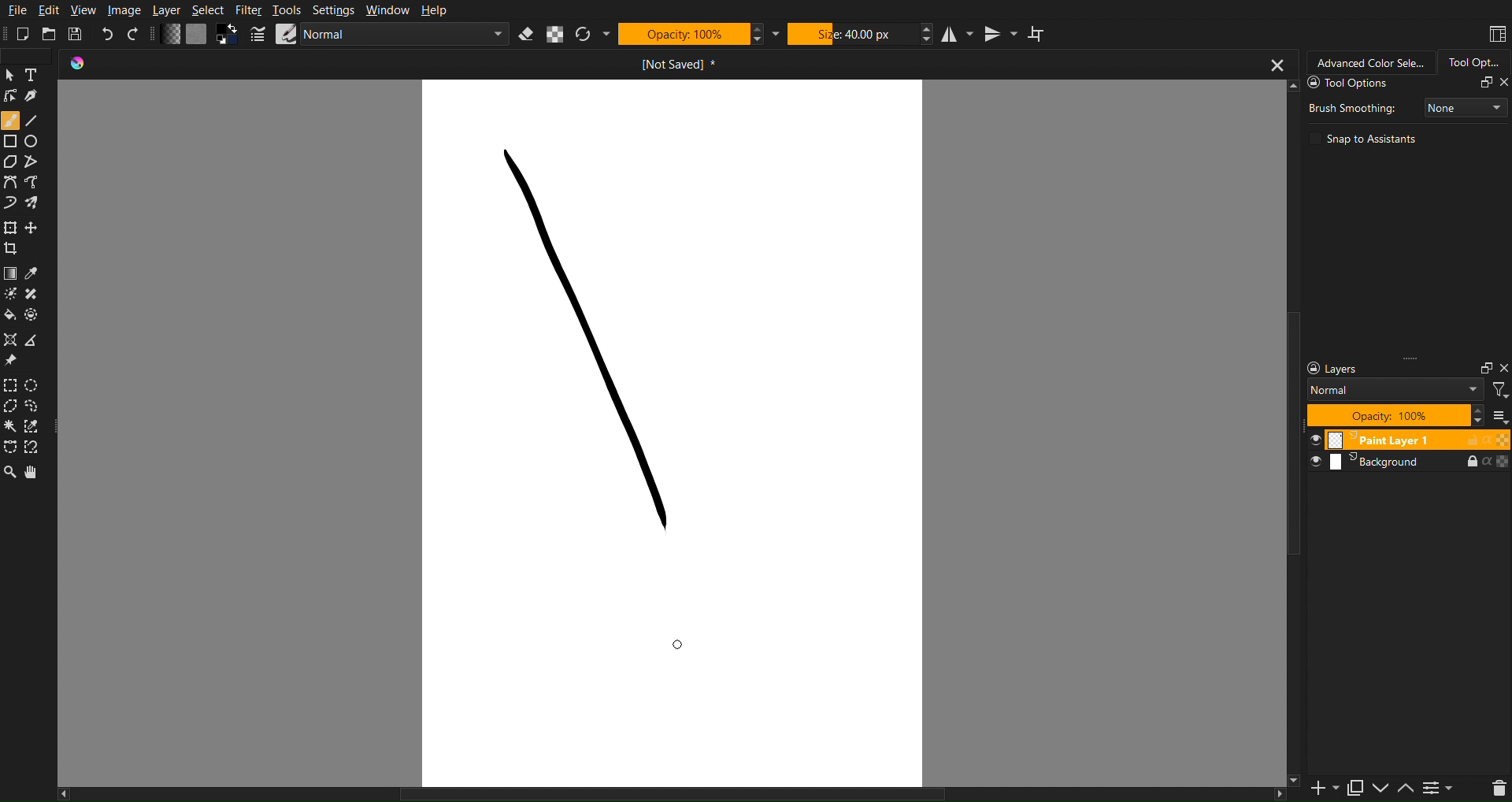  Describe the element at coordinates (13, 386) in the screenshot. I see `Square Marquee Tool` at that location.